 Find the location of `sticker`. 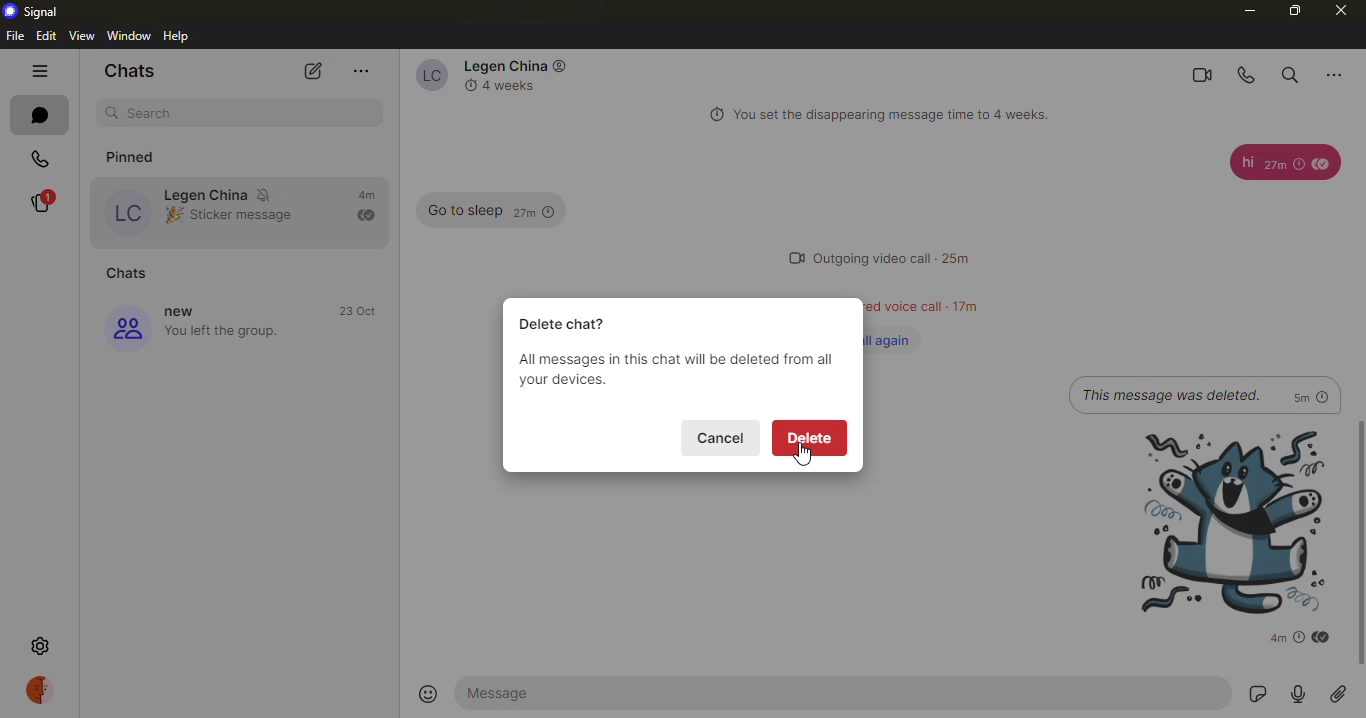

sticker is located at coordinates (1219, 521).